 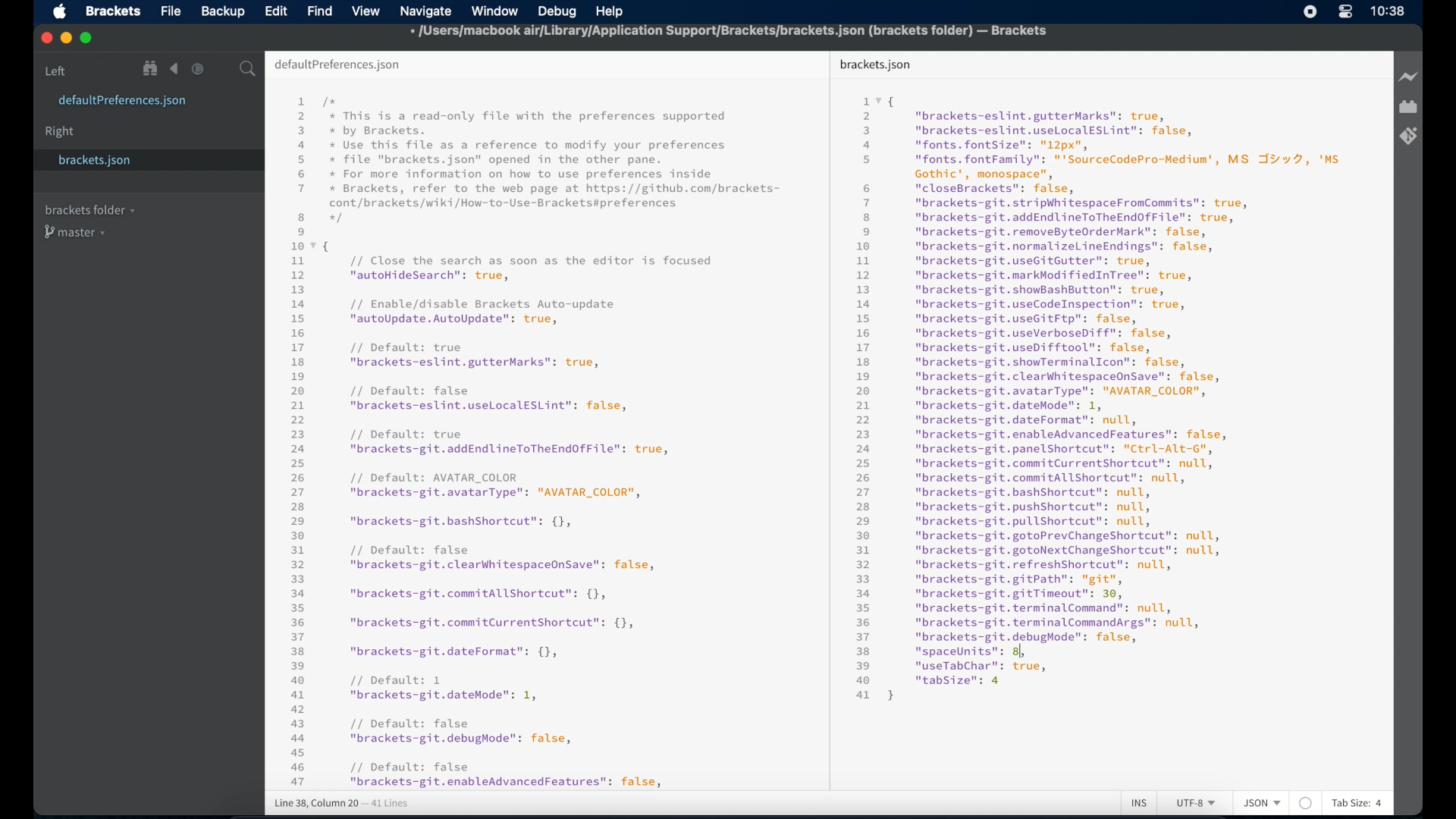 I want to click on brackets.json, so click(x=96, y=161).